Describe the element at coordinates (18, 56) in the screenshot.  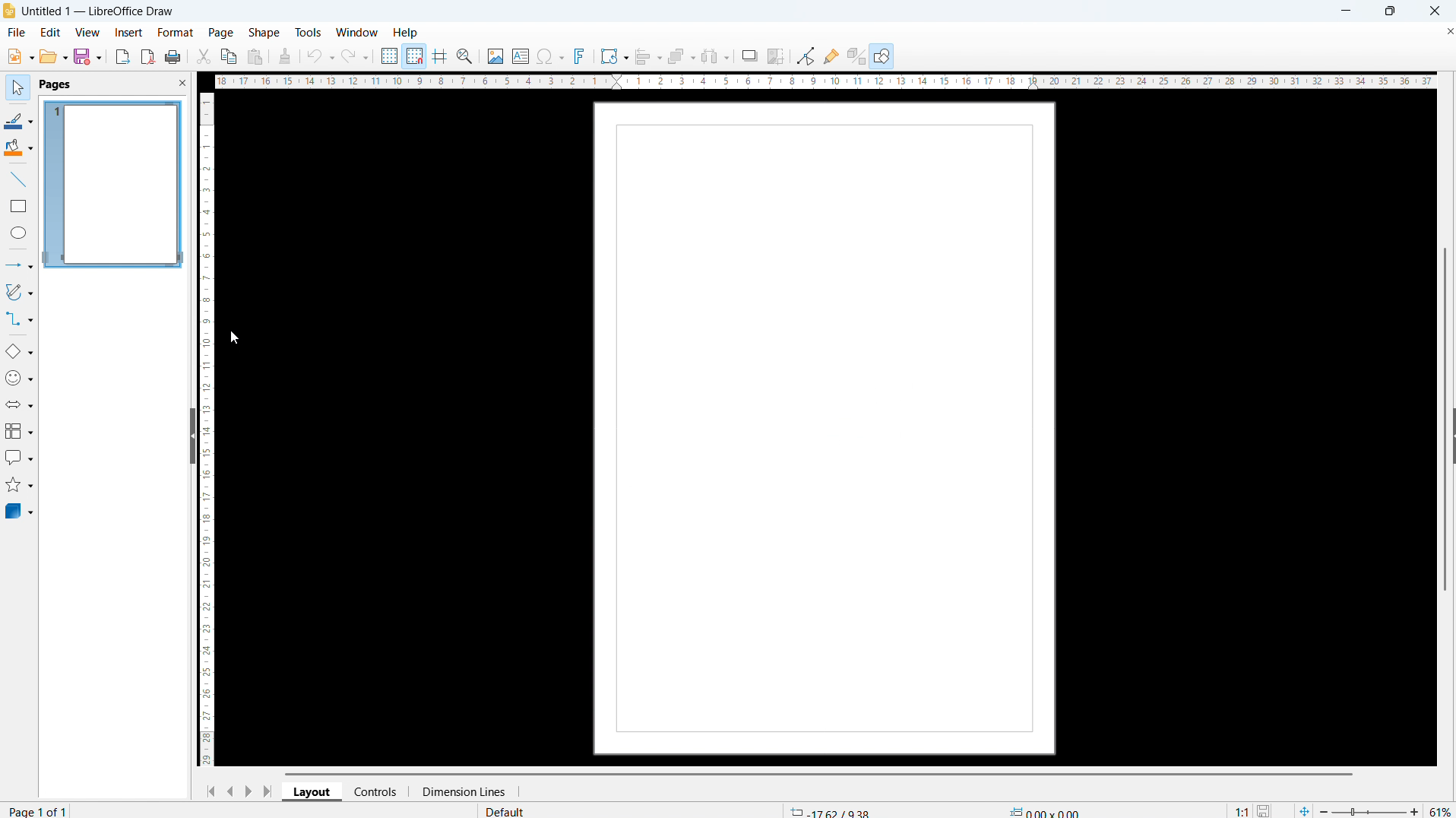
I see `new` at that location.